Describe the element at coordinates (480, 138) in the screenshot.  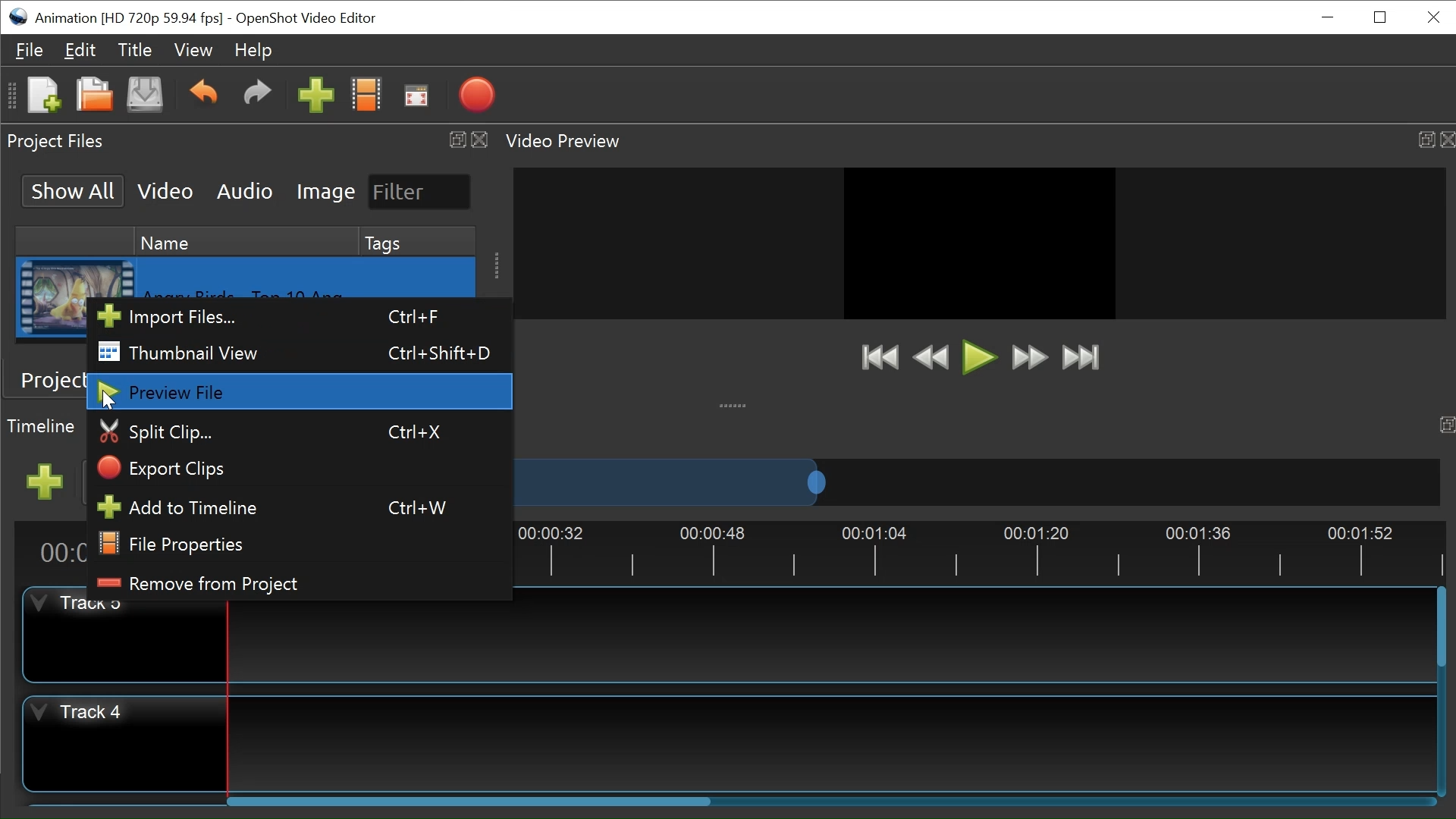
I see `Close` at that location.